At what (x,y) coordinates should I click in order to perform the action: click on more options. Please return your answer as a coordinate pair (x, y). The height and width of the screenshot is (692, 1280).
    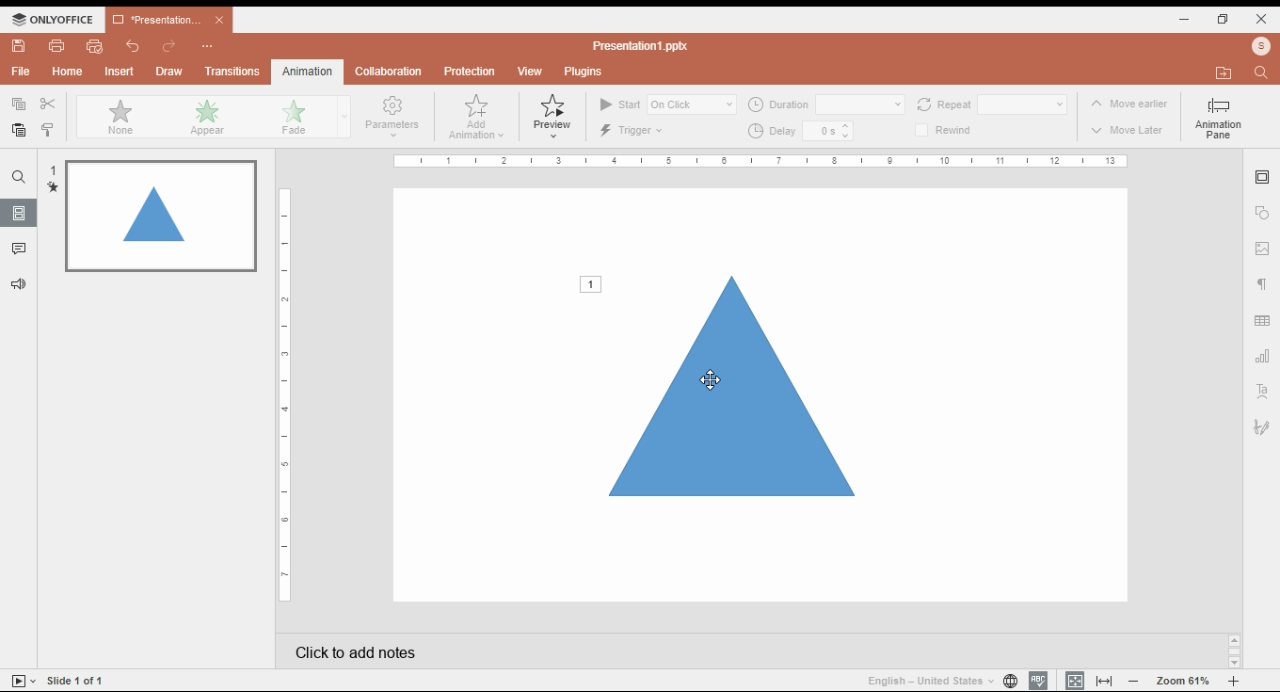
    Looking at the image, I should click on (205, 48).